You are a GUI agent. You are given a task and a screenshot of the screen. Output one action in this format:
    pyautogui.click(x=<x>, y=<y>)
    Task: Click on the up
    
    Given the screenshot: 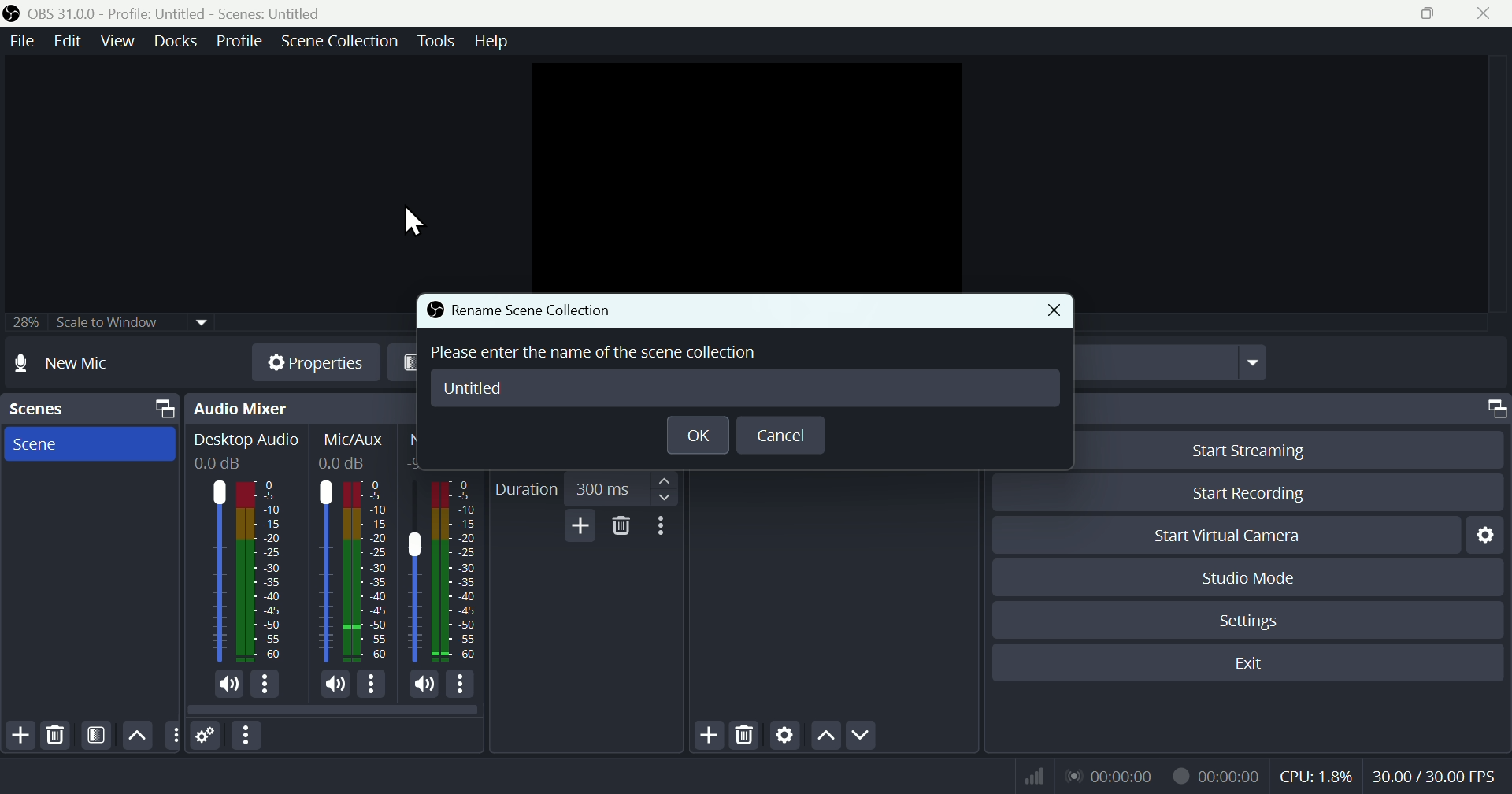 What is the action you would take?
    pyautogui.click(x=825, y=737)
    